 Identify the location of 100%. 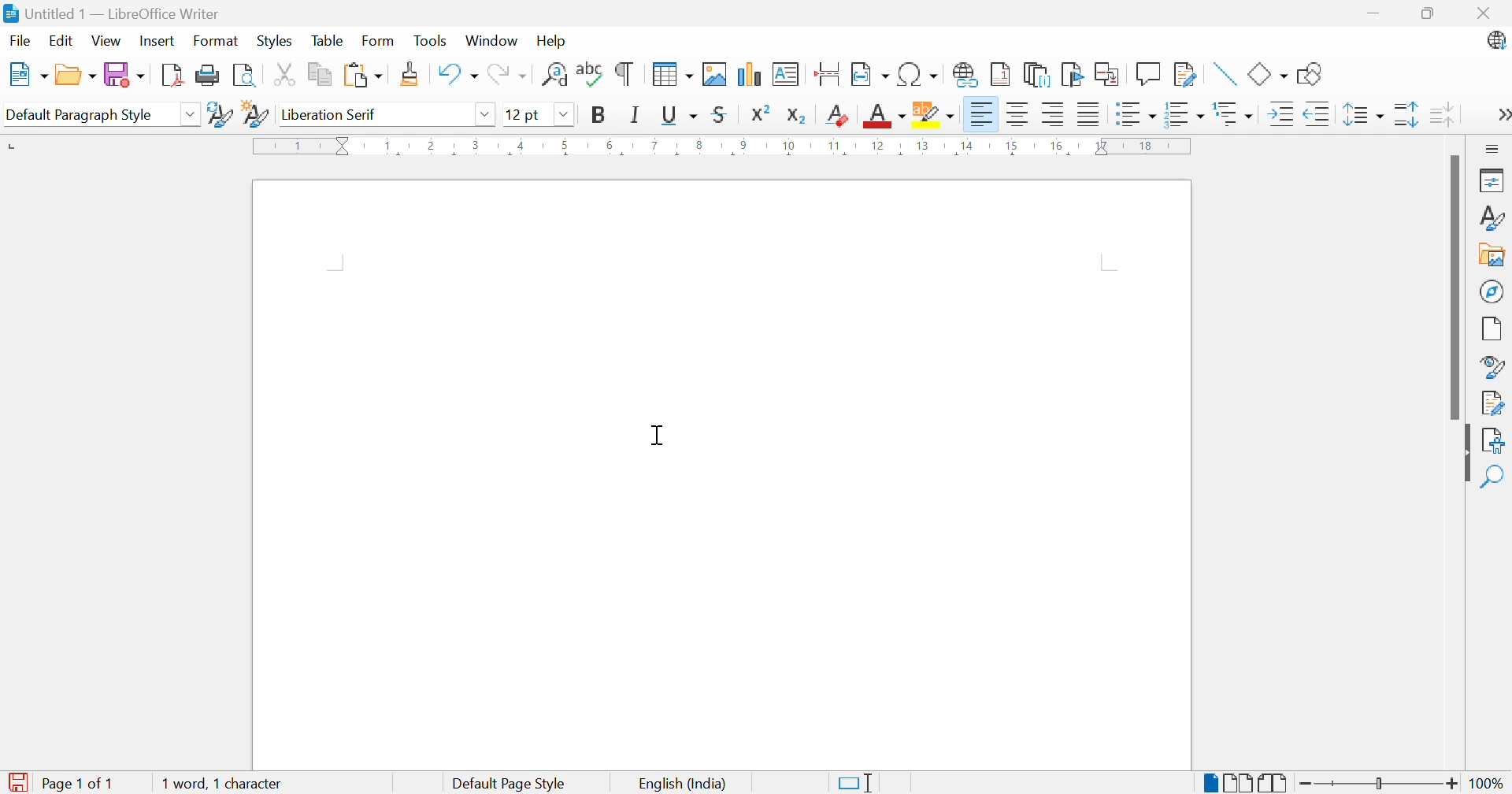
(1490, 785).